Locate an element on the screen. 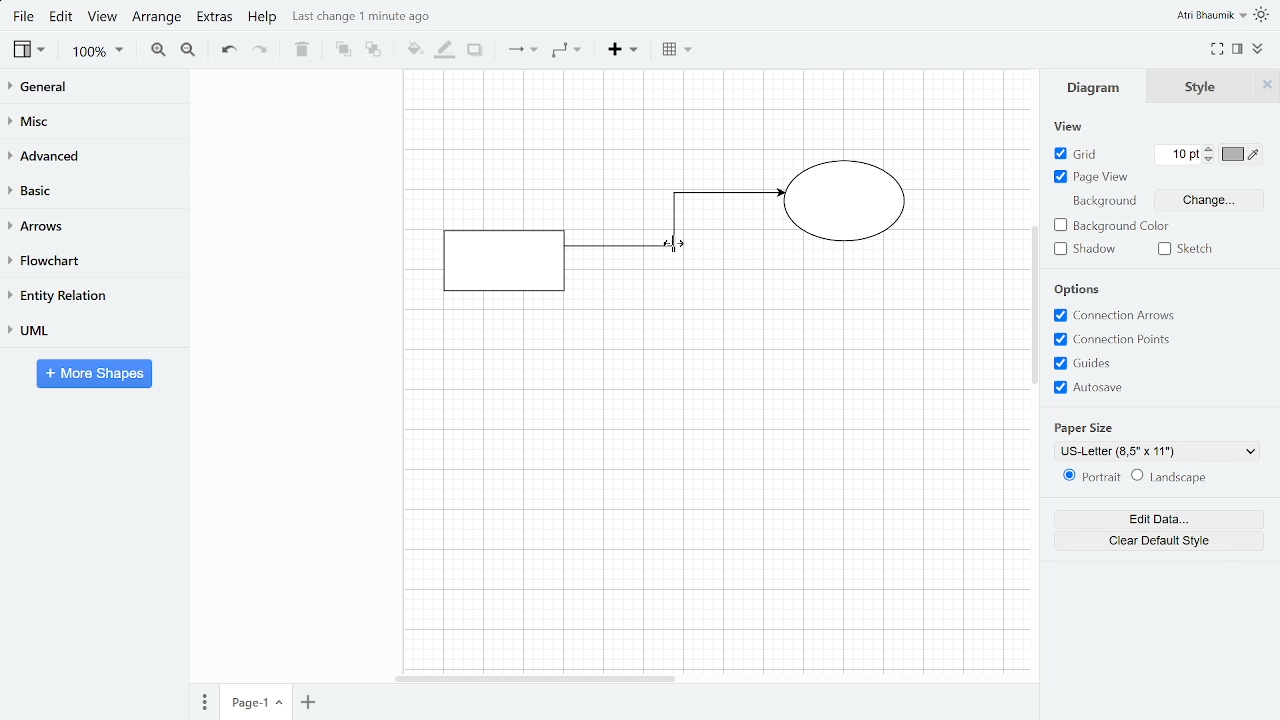 The image size is (1280, 720). Arrows is located at coordinates (93, 225).